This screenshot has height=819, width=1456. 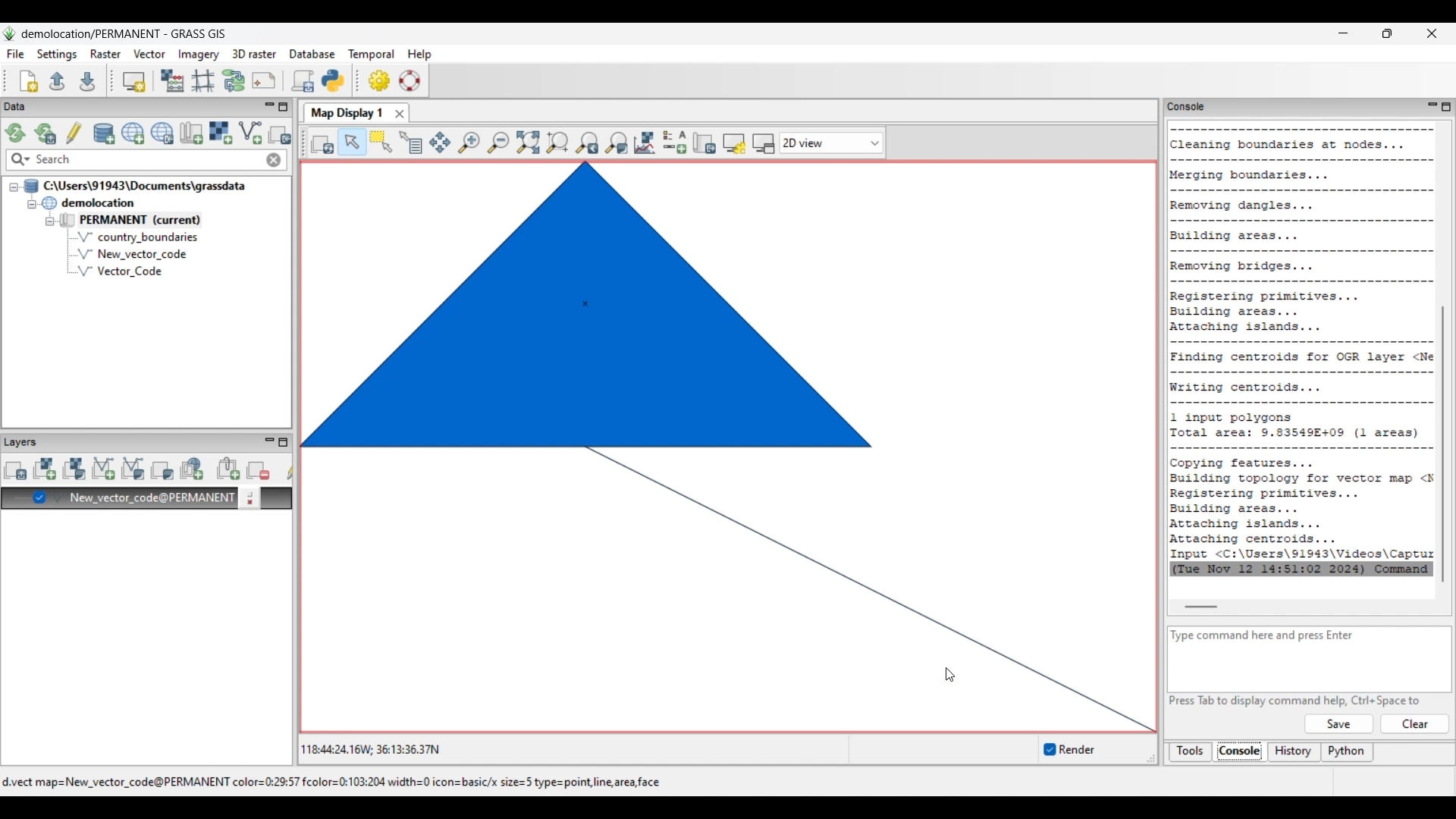 What do you see at coordinates (1446, 107) in the screenshot?
I see `Maximize Tools panel` at bounding box center [1446, 107].